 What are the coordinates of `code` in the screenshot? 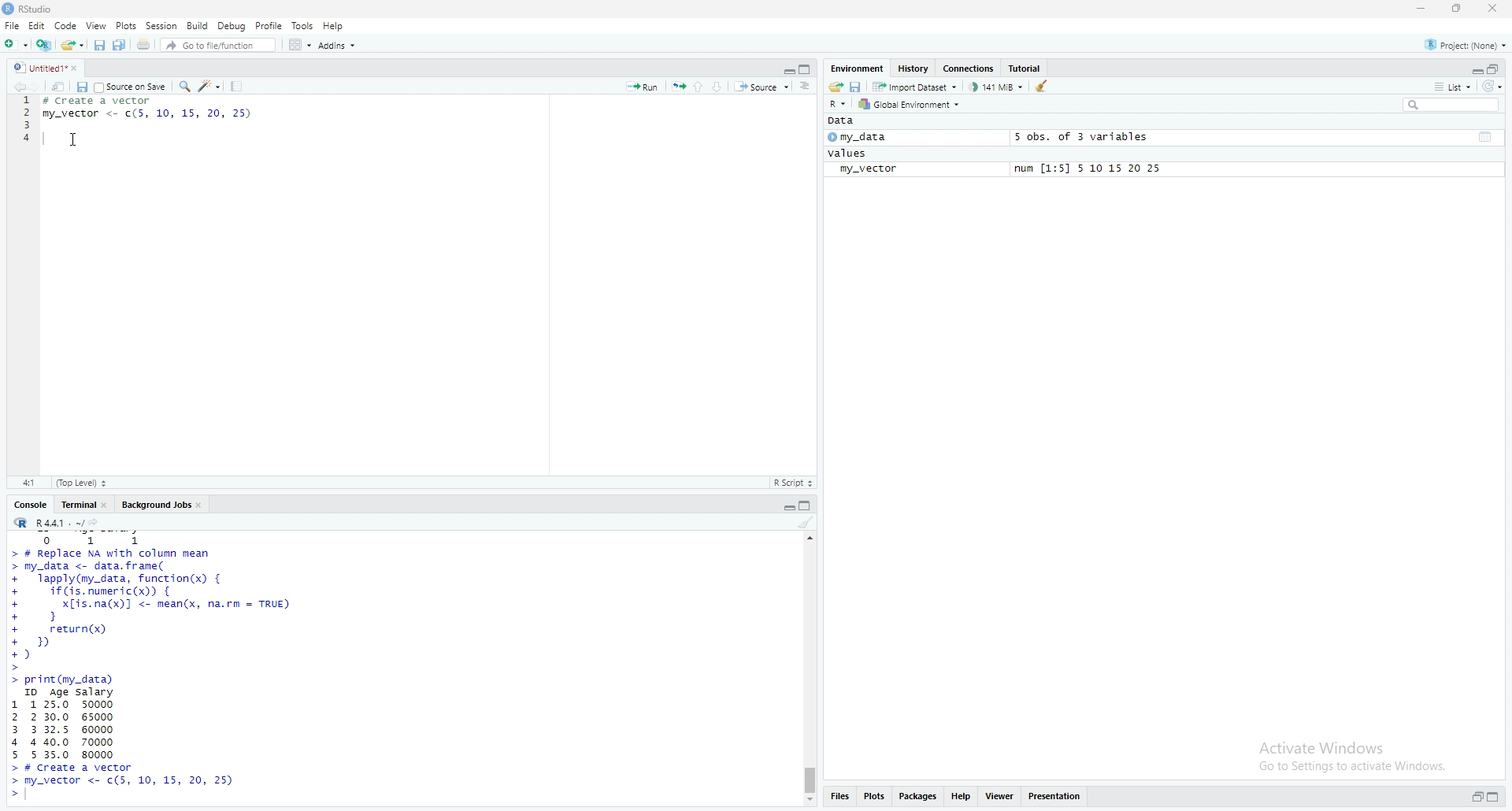 It's located at (65, 26).